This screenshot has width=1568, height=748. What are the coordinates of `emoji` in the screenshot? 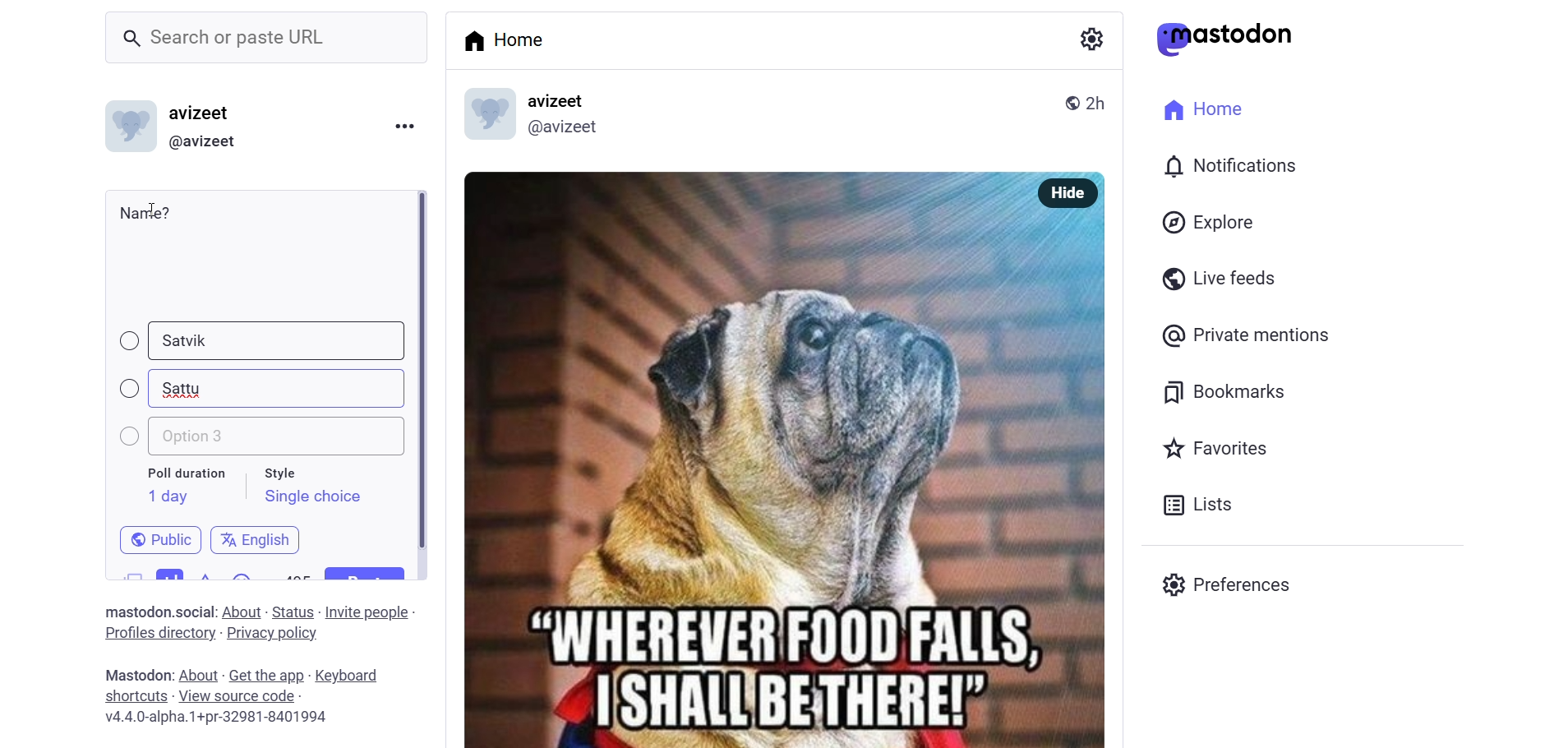 It's located at (243, 579).